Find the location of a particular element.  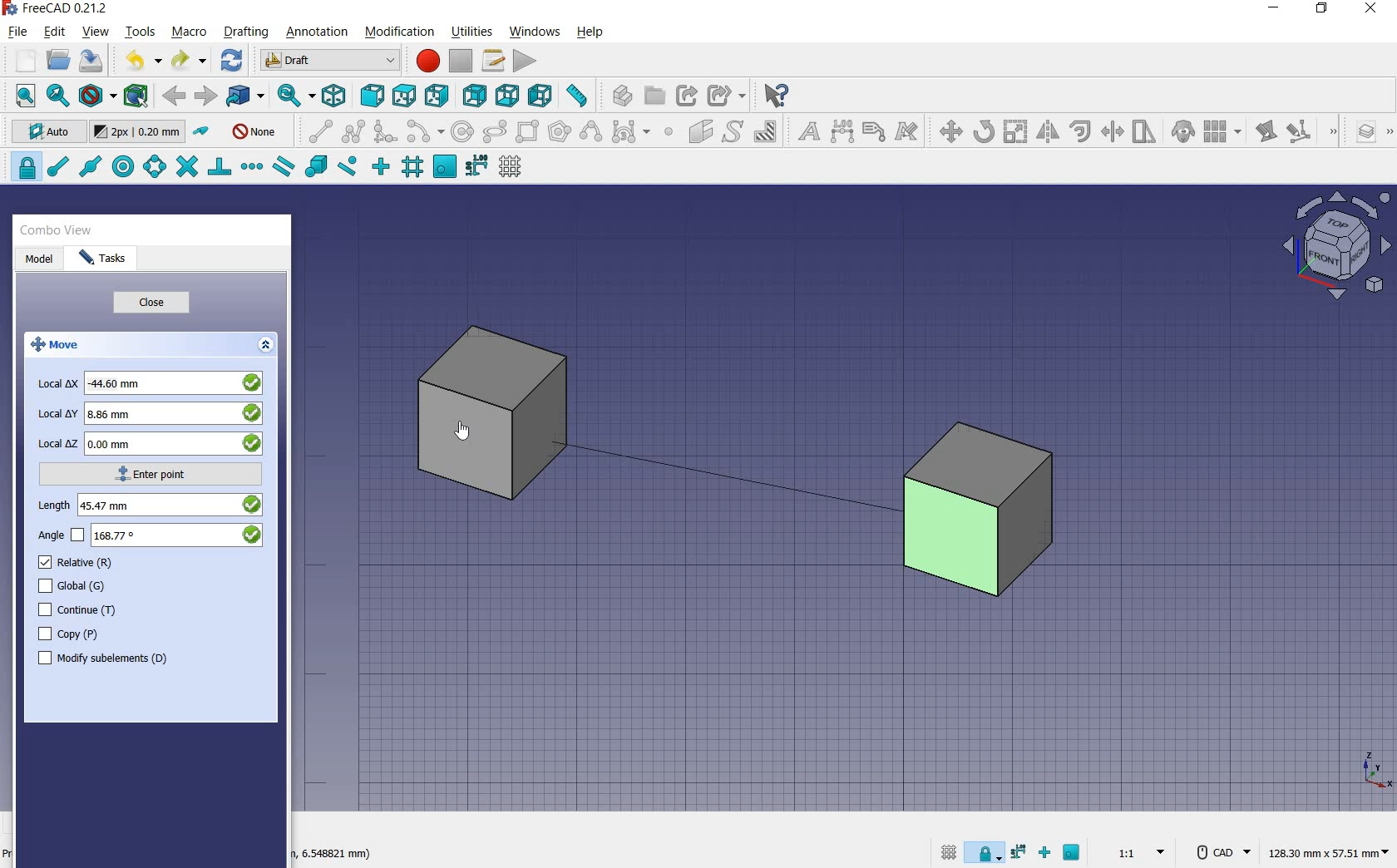

circle is located at coordinates (464, 131).